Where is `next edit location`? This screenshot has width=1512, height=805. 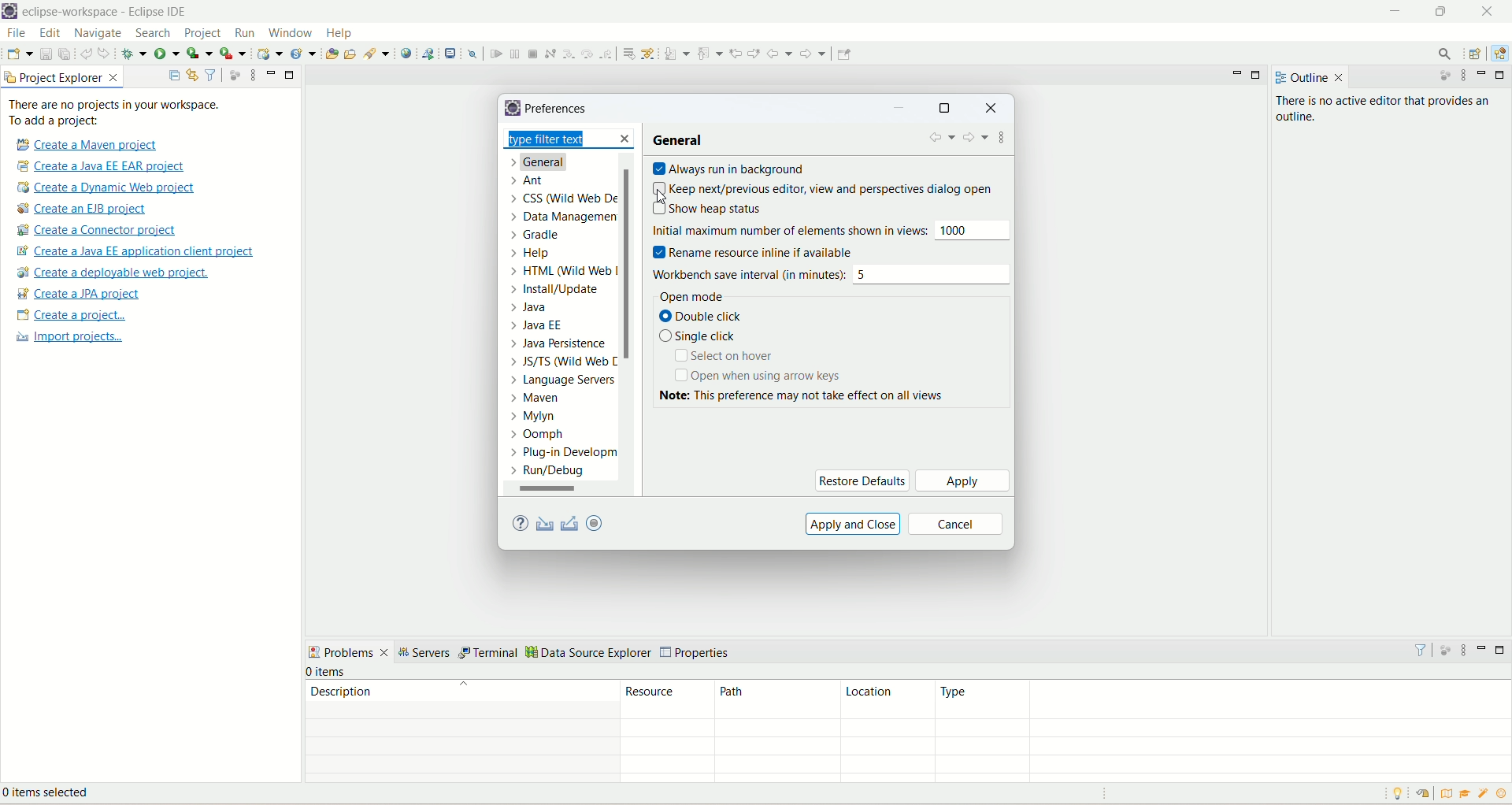
next edit location is located at coordinates (754, 51).